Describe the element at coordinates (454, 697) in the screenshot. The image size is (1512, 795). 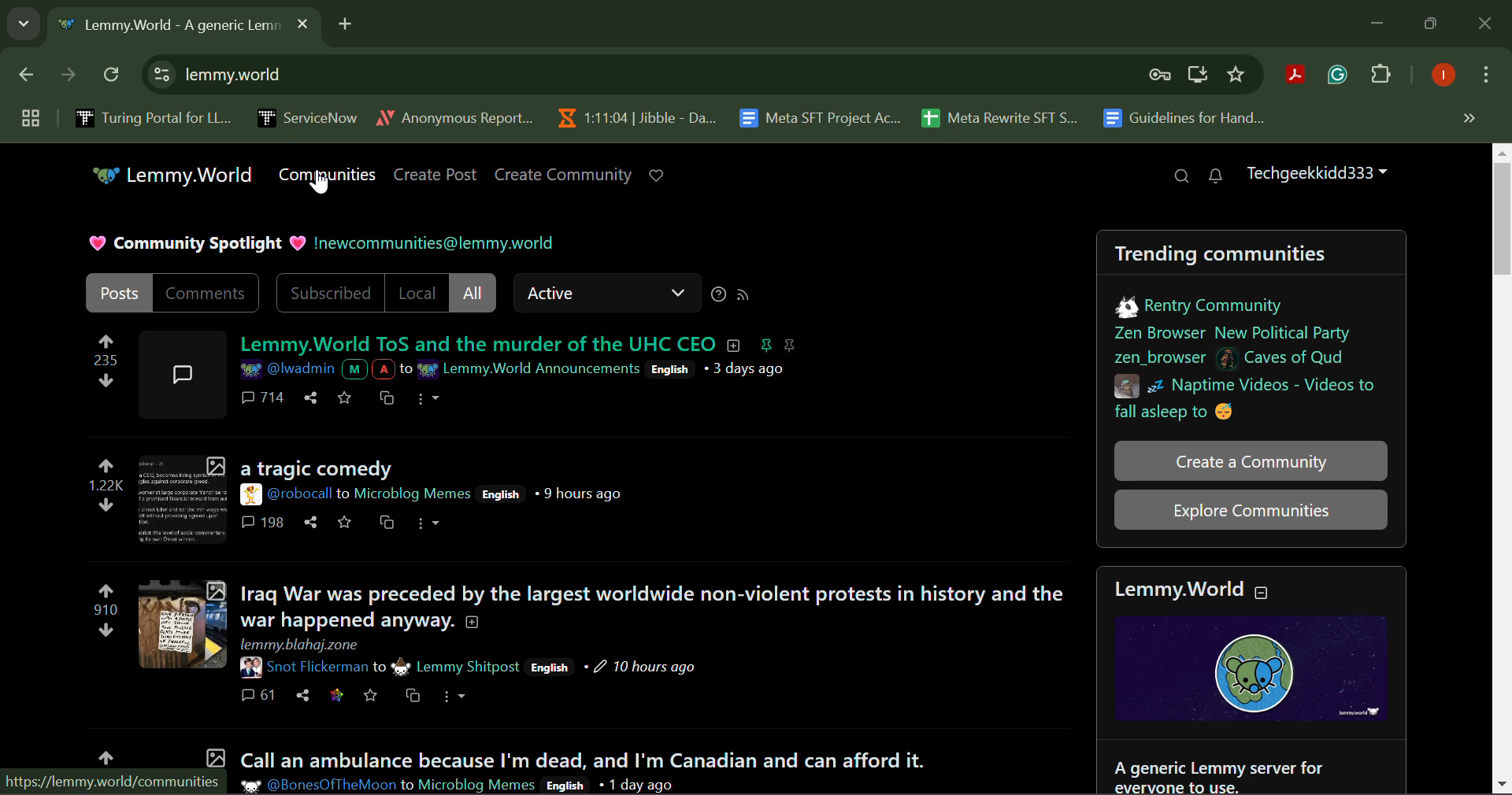
I see `More Options` at that location.